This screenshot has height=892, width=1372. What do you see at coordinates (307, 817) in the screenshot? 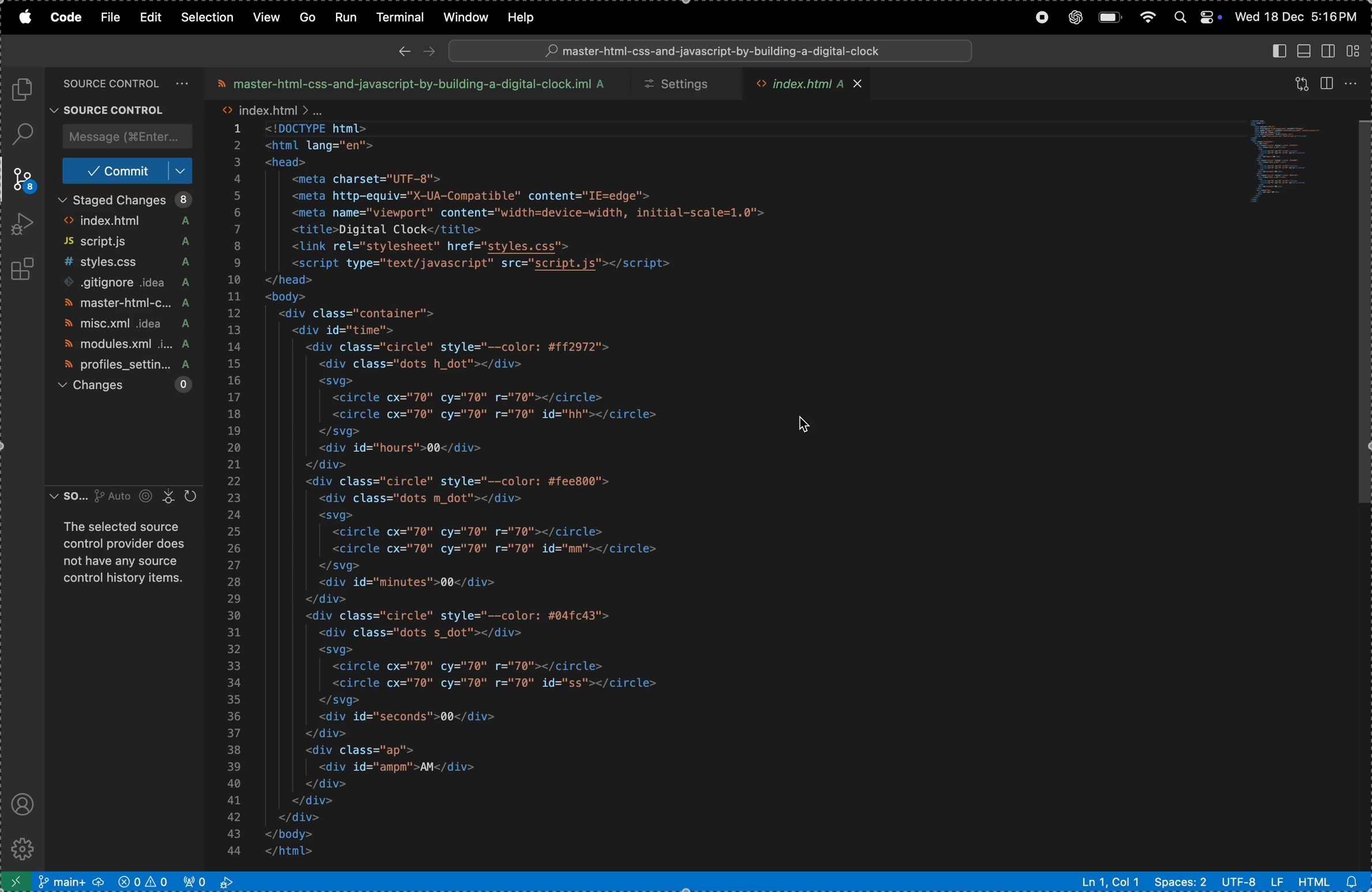
I see `</div>` at bounding box center [307, 817].